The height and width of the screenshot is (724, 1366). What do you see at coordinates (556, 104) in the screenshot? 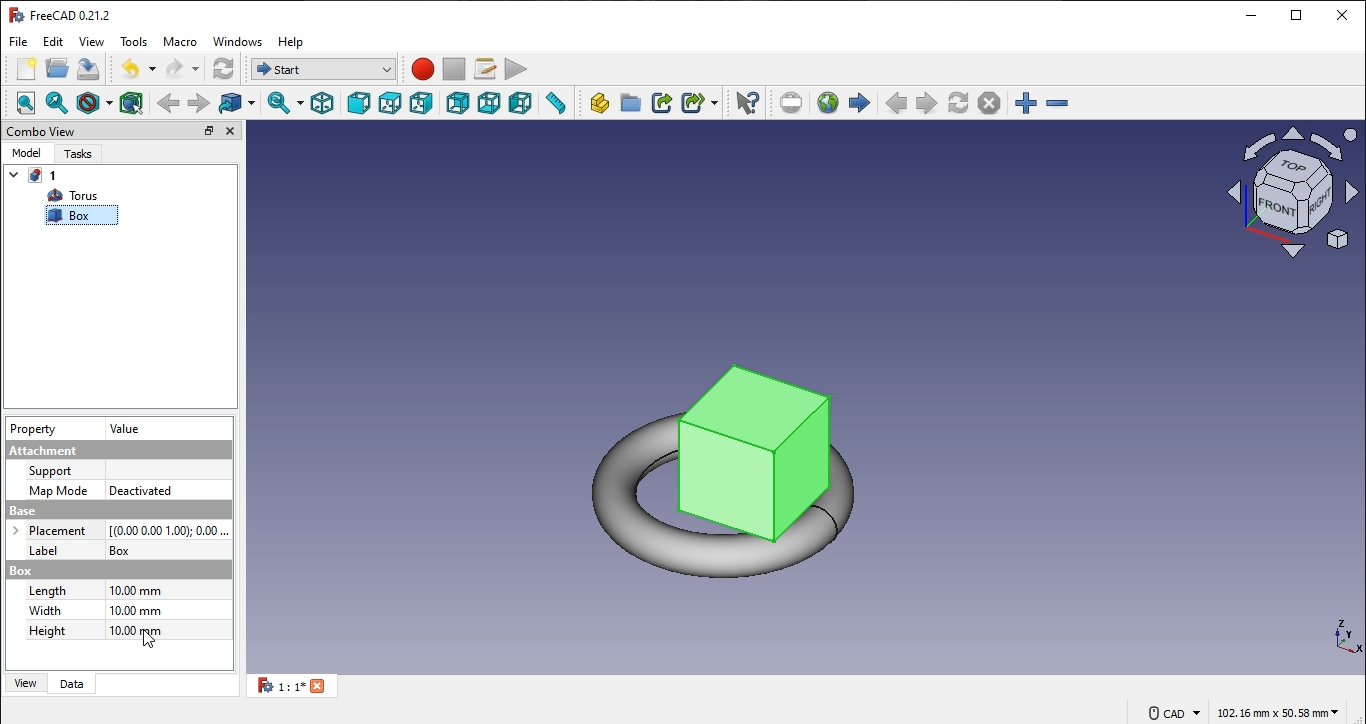
I see `measure distance` at bounding box center [556, 104].